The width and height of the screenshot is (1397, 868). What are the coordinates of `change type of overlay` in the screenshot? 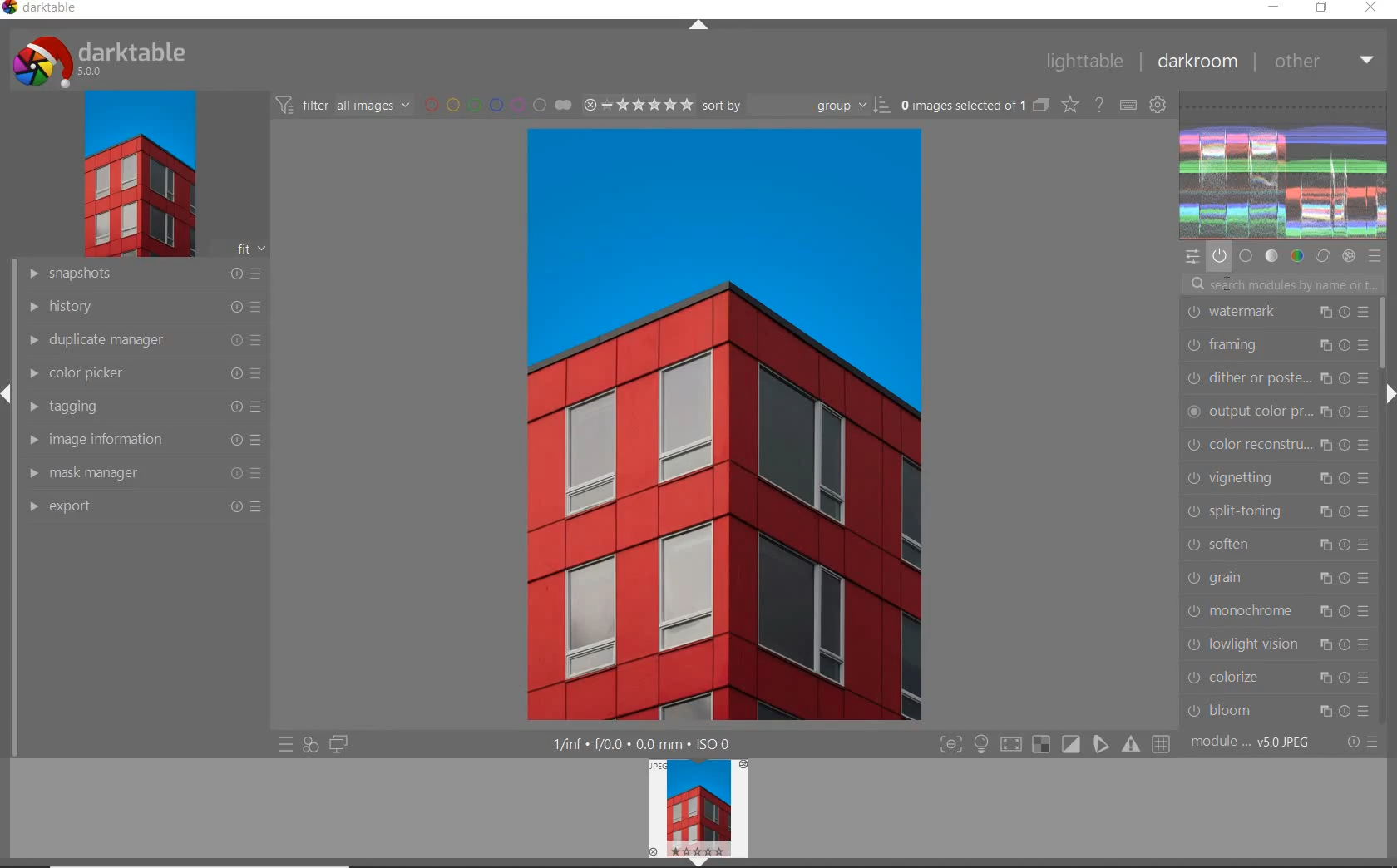 It's located at (1069, 105).